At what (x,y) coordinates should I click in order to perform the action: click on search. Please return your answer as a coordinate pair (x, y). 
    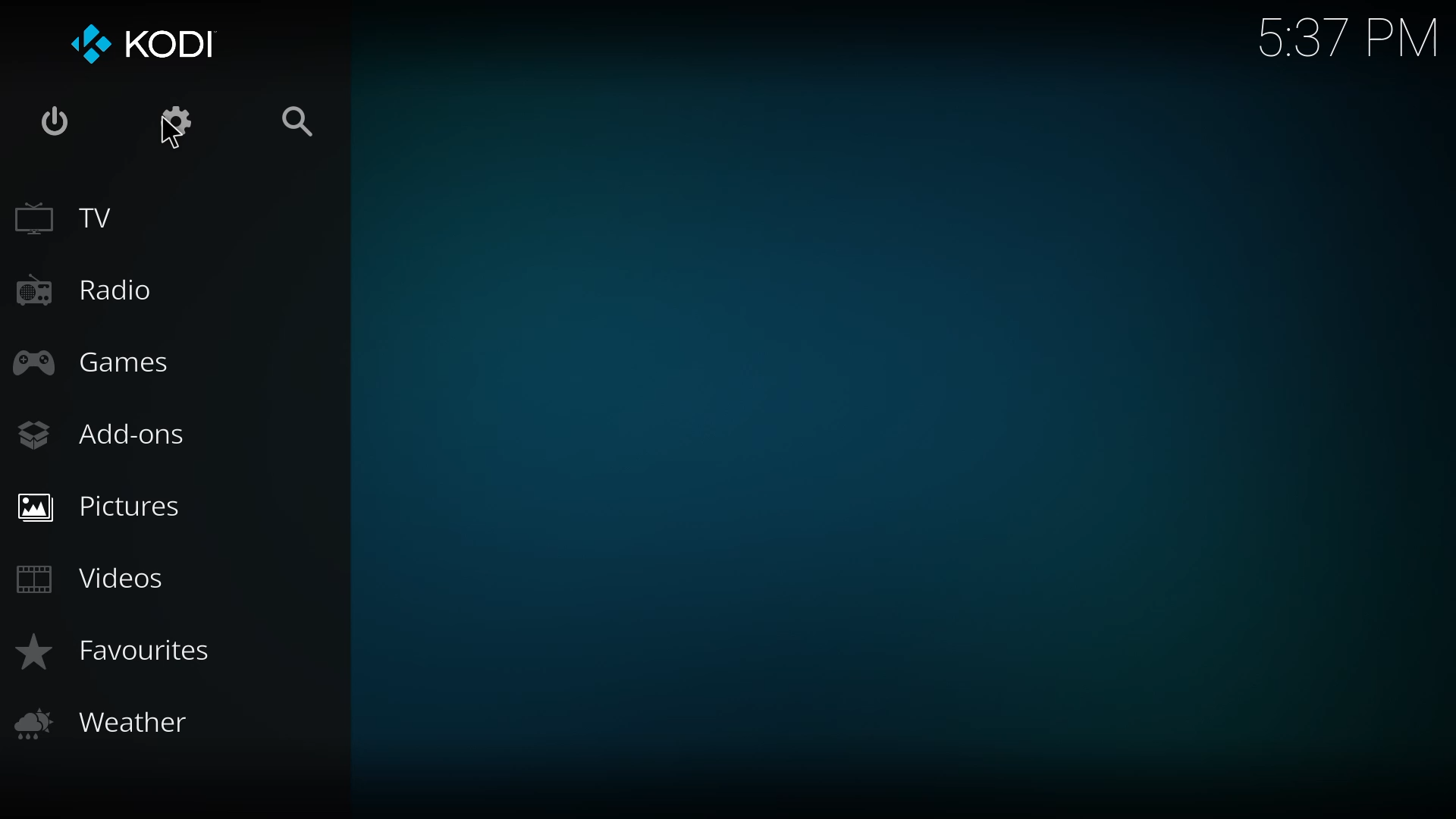
    Looking at the image, I should click on (299, 119).